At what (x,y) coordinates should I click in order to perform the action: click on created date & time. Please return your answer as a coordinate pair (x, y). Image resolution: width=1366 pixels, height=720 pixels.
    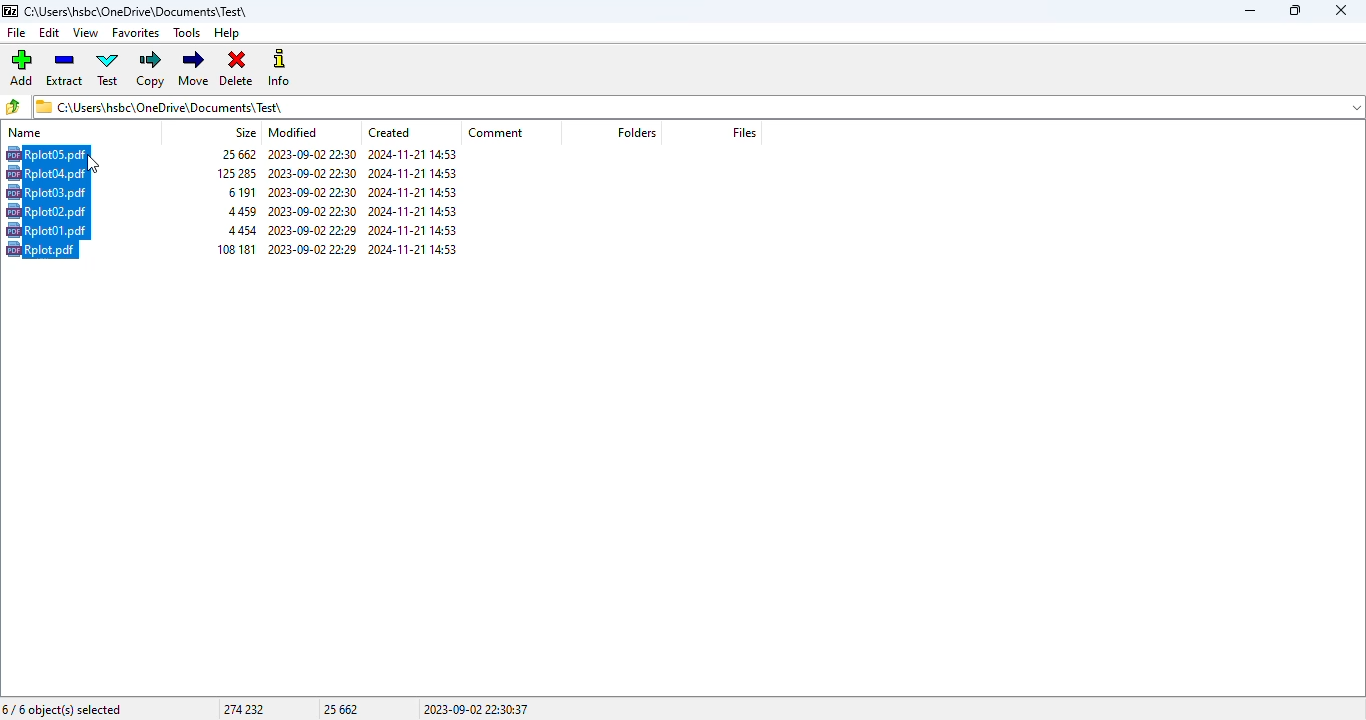
    Looking at the image, I should click on (414, 174).